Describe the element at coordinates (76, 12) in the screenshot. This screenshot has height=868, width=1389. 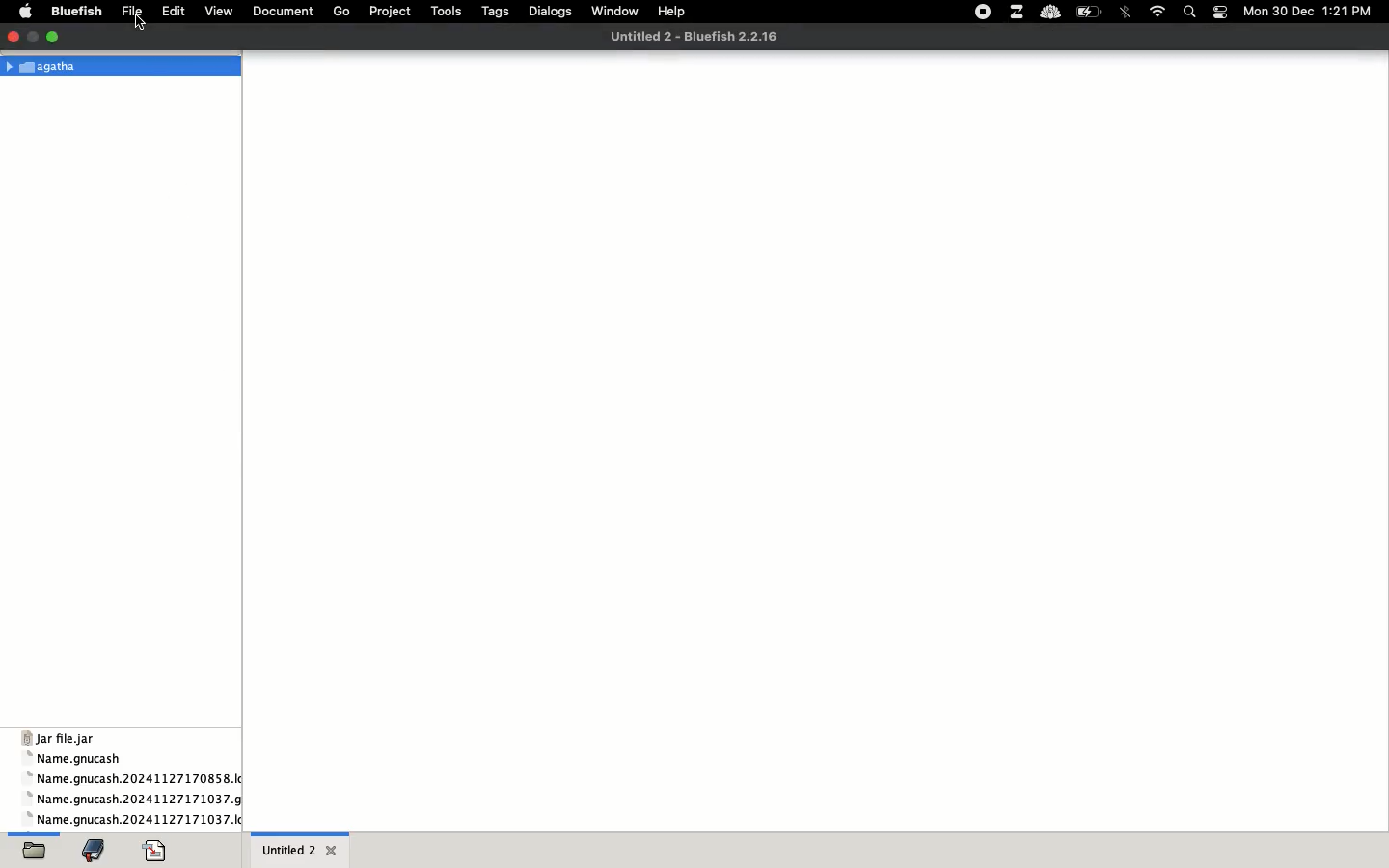
I see `bluefish` at that location.